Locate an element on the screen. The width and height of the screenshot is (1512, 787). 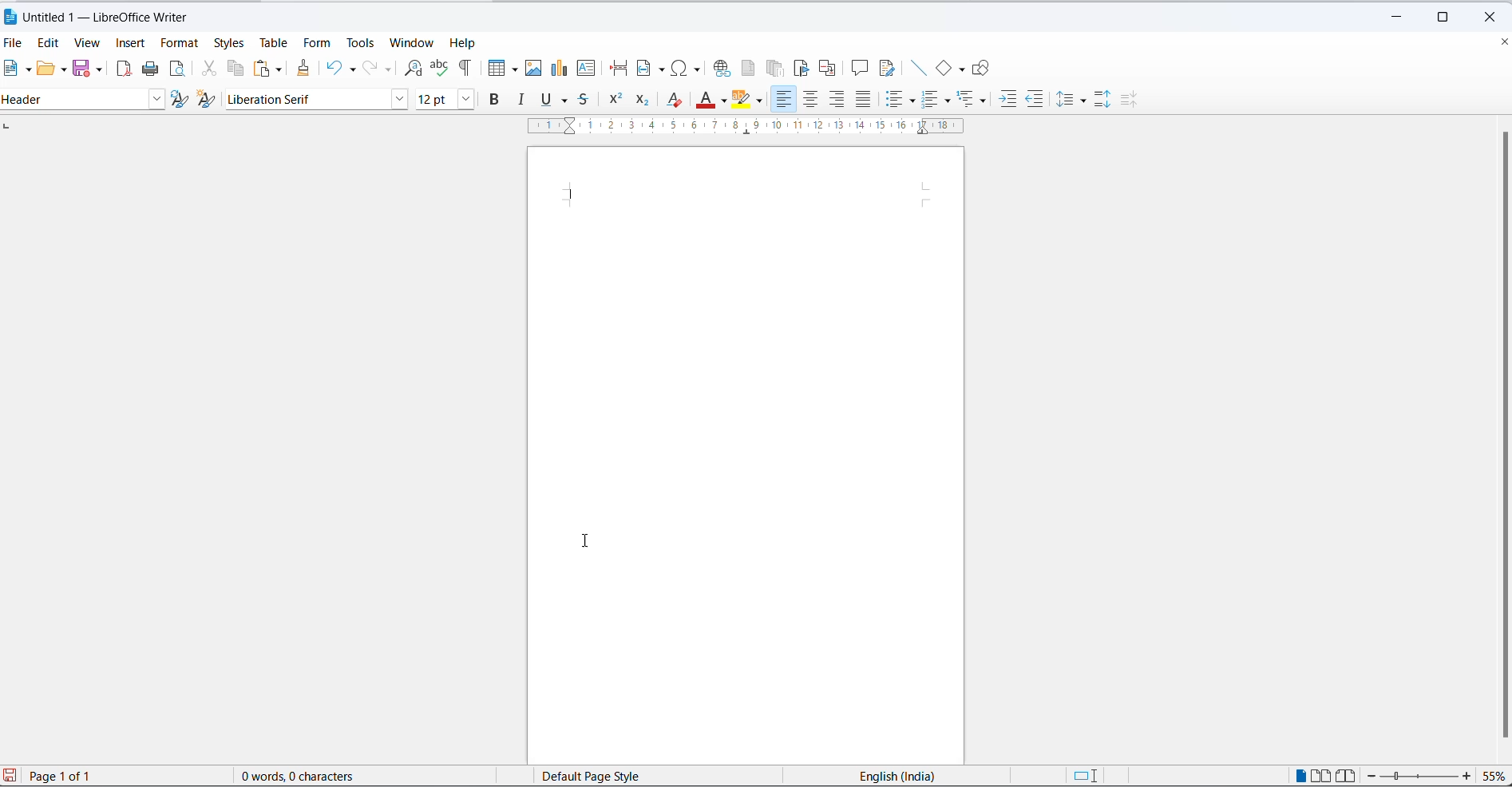
insert images is located at coordinates (534, 68).